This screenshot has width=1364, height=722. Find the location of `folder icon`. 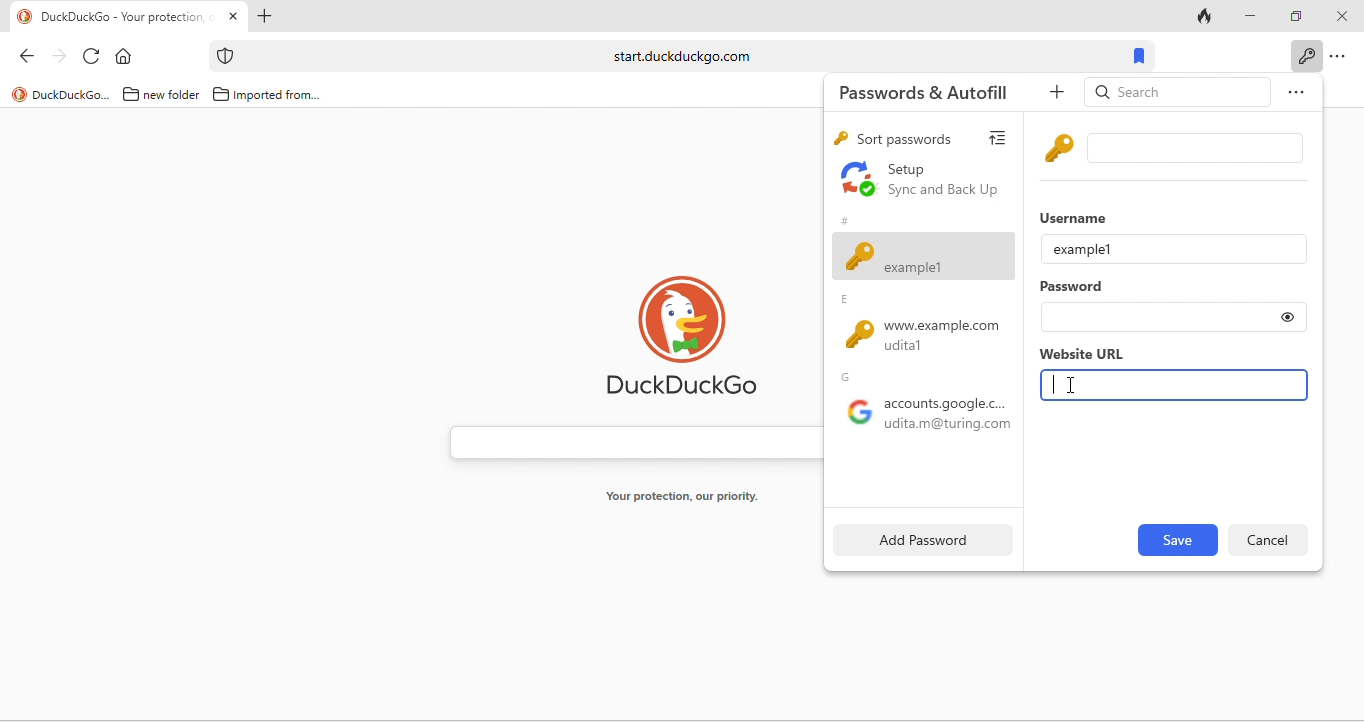

folder icon is located at coordinates (221, 94).